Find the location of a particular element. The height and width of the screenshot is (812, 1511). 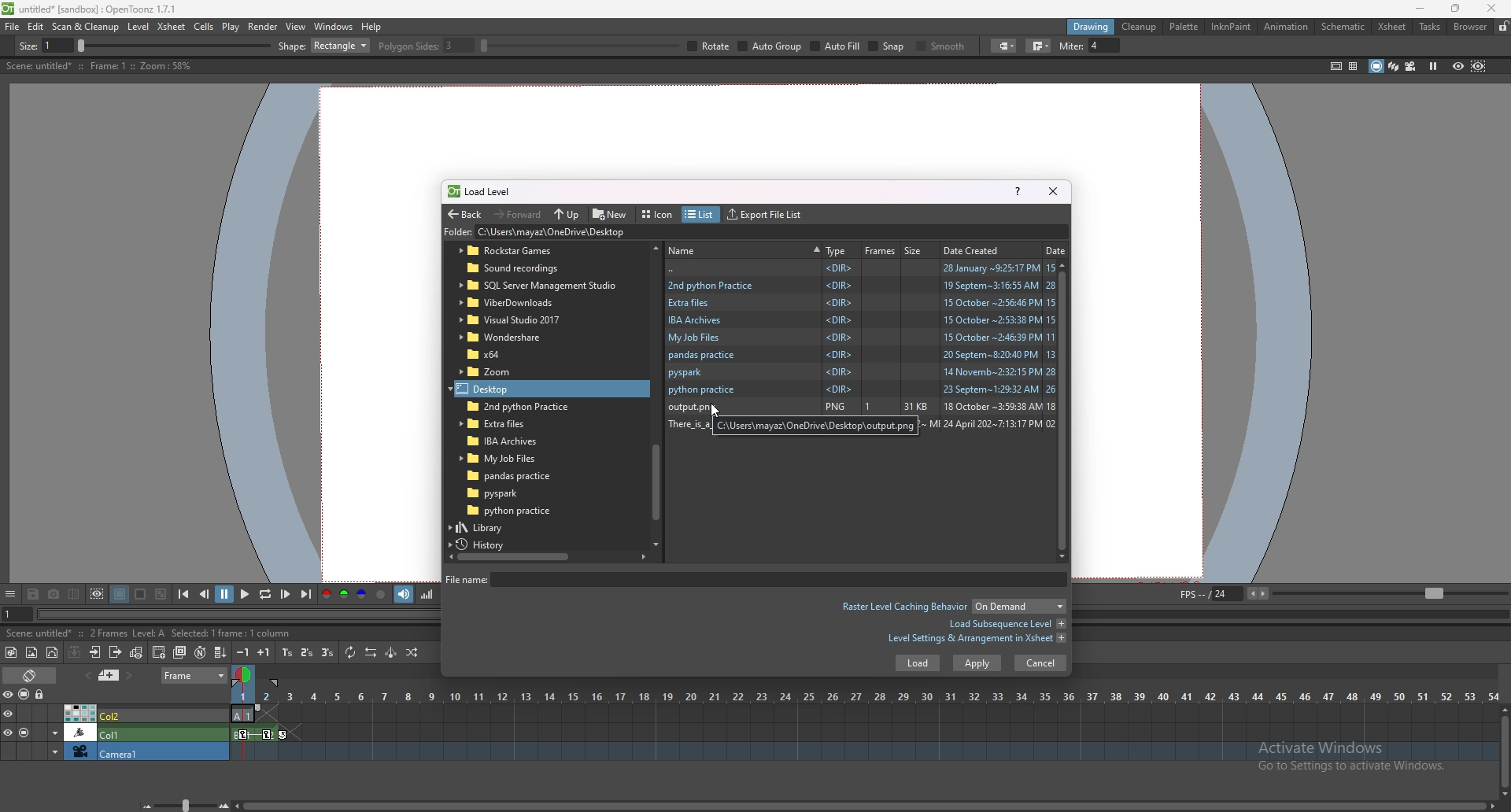

new is located at coordinates (611, 213).